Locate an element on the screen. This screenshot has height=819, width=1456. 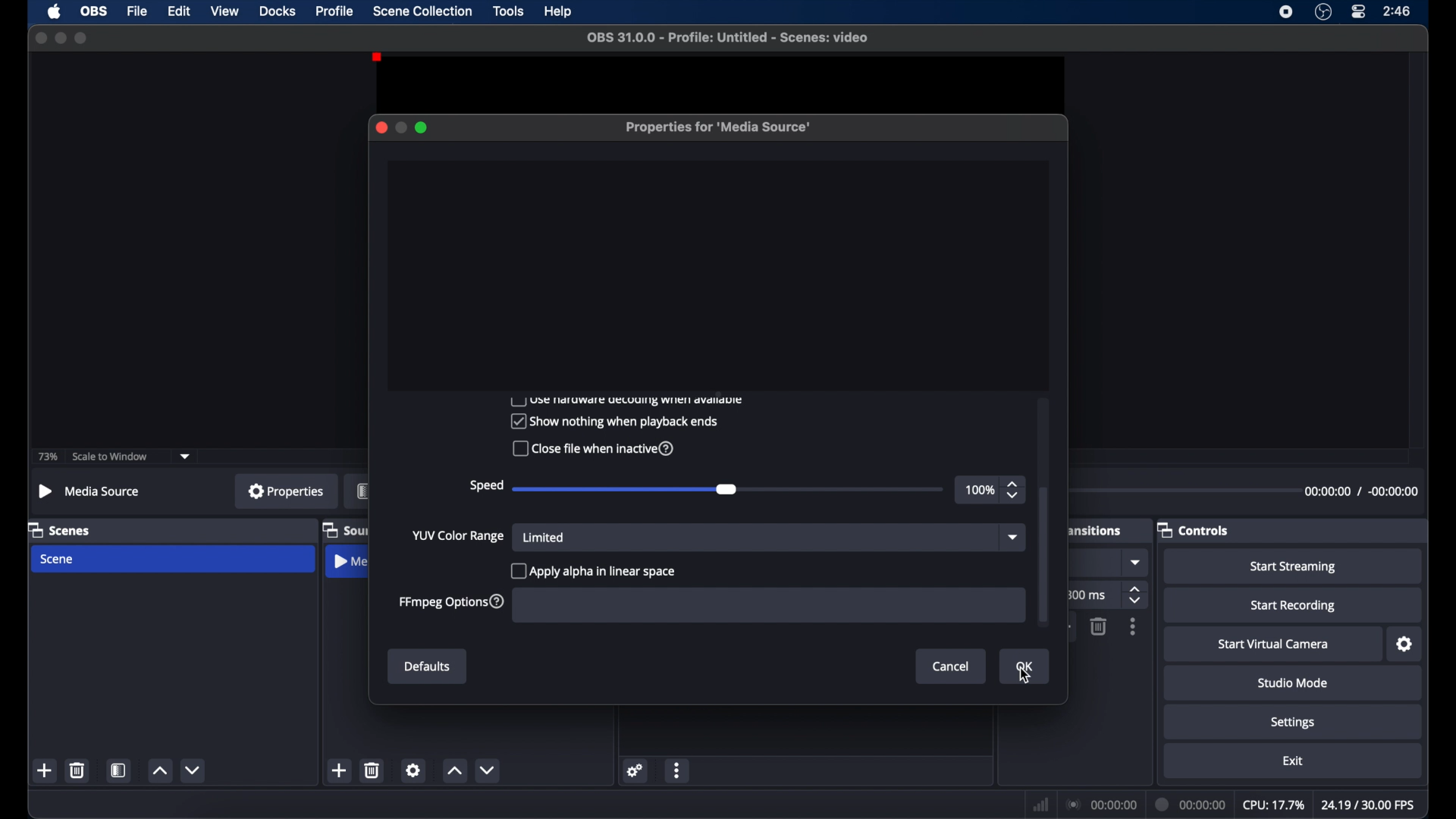
delete is located at coordinates (373, 770).